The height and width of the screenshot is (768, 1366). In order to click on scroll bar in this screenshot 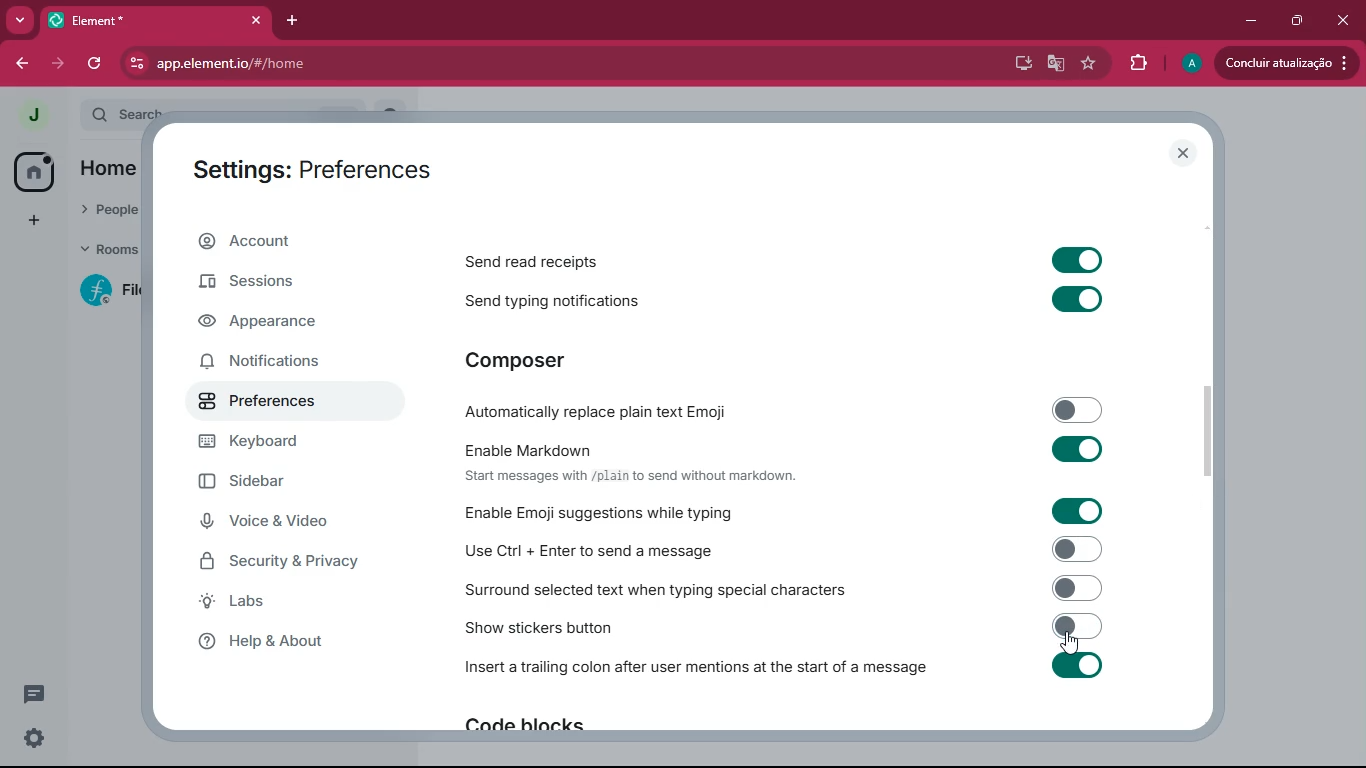, I will do `click(1212, 433)`.